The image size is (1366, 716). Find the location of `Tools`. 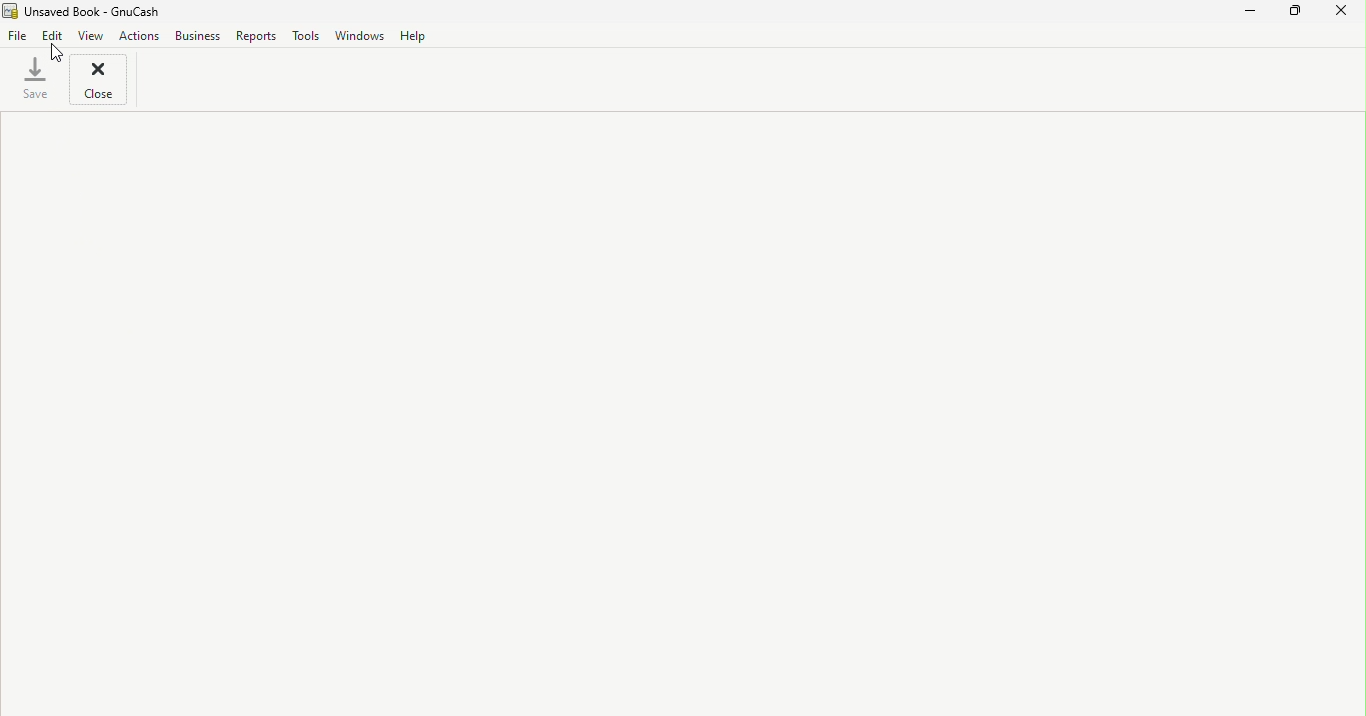

Tools is located at coordinates (305, 35).